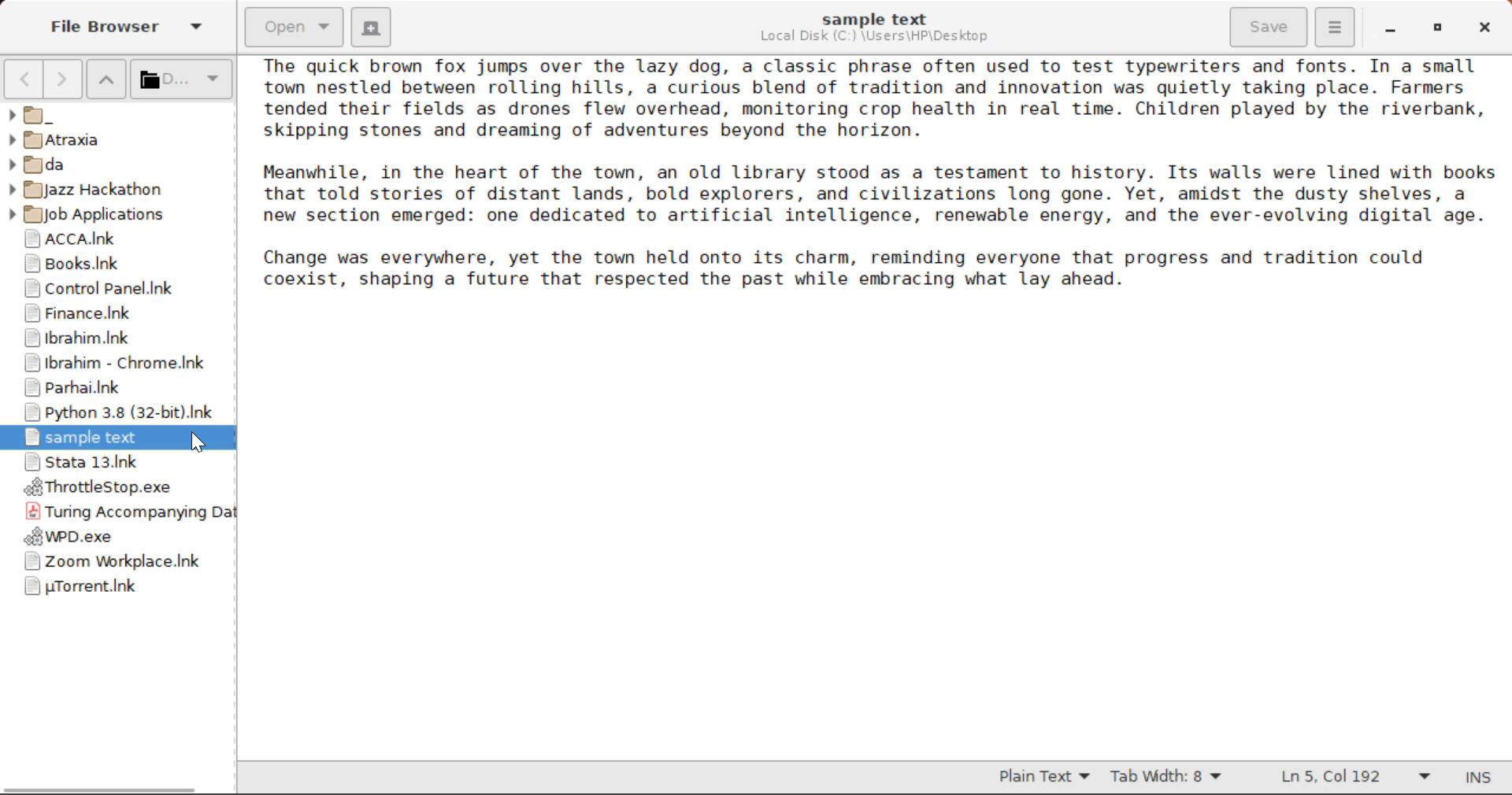  Describe the element at coordinates (180, 79) in the screenshot. I see `Selected Folder` at that location.